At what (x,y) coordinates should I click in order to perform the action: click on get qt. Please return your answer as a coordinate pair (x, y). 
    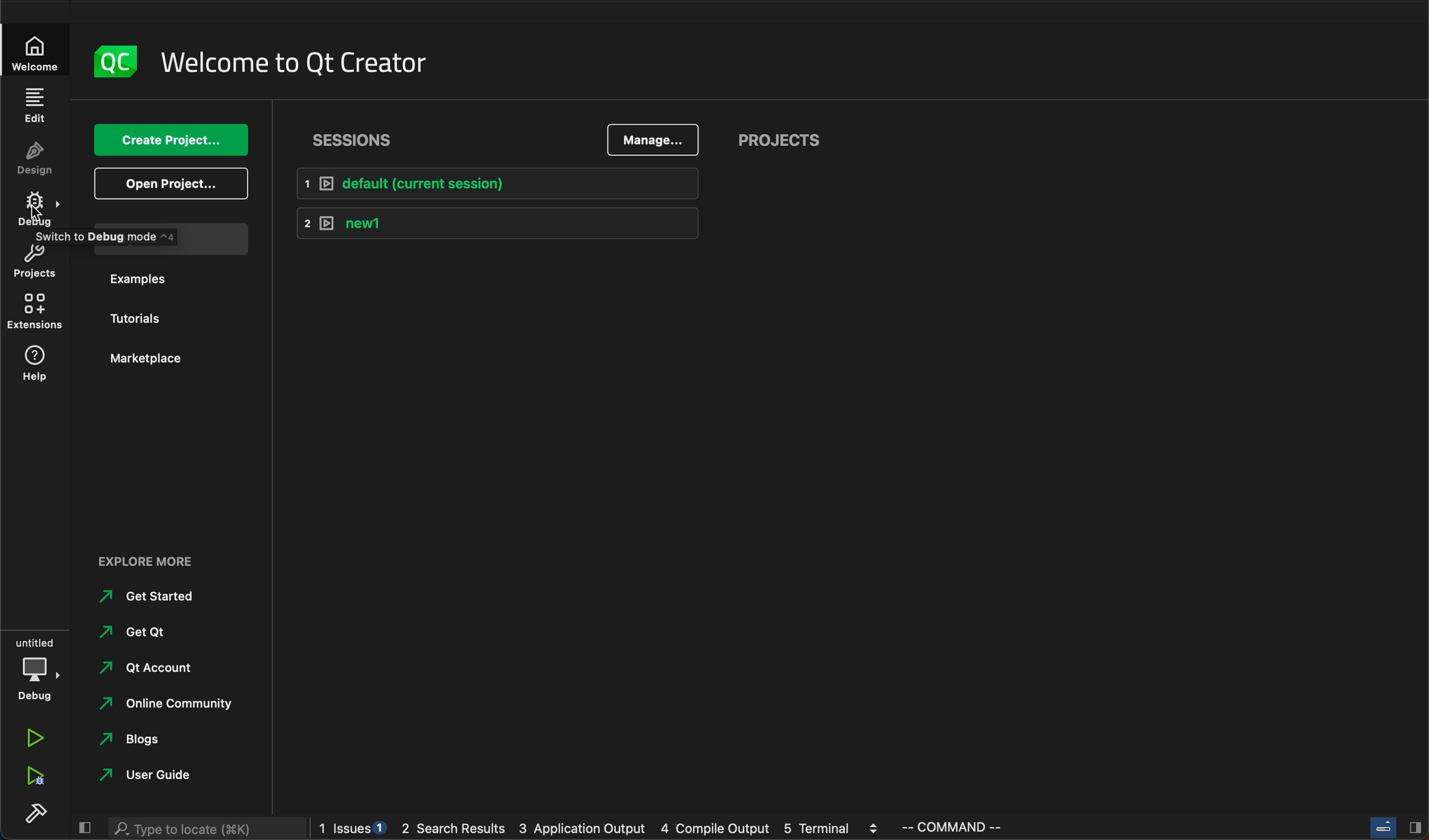
    Looking at the image, I should click on (147, 633).